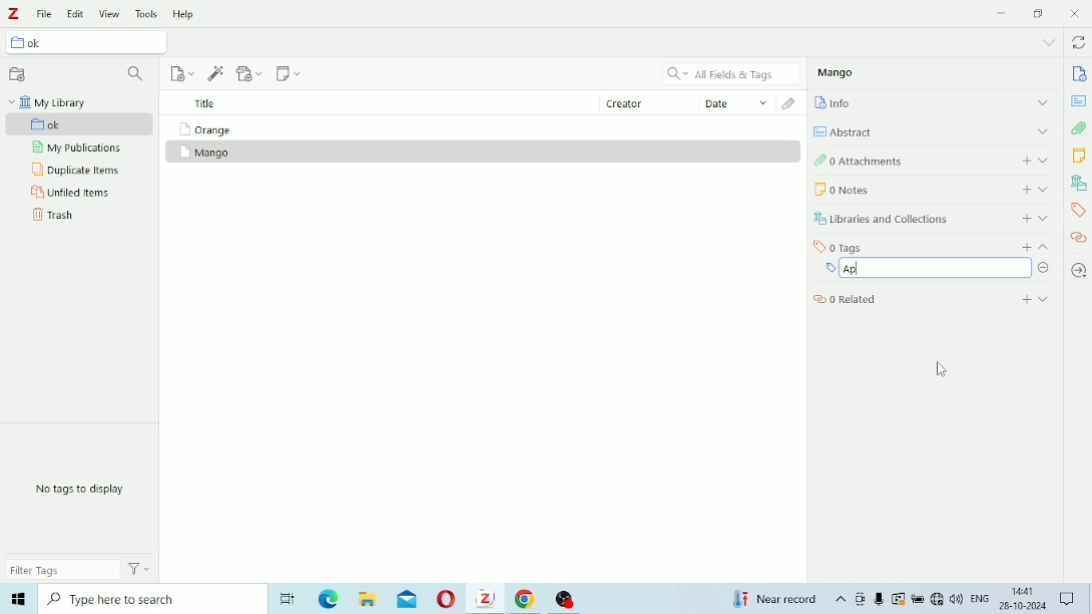 Image resolution: width=1092 pixels, height=614 pixels. Describe the element at coordinates (289, 74) in the screenshot. I see `New Note` at that location.